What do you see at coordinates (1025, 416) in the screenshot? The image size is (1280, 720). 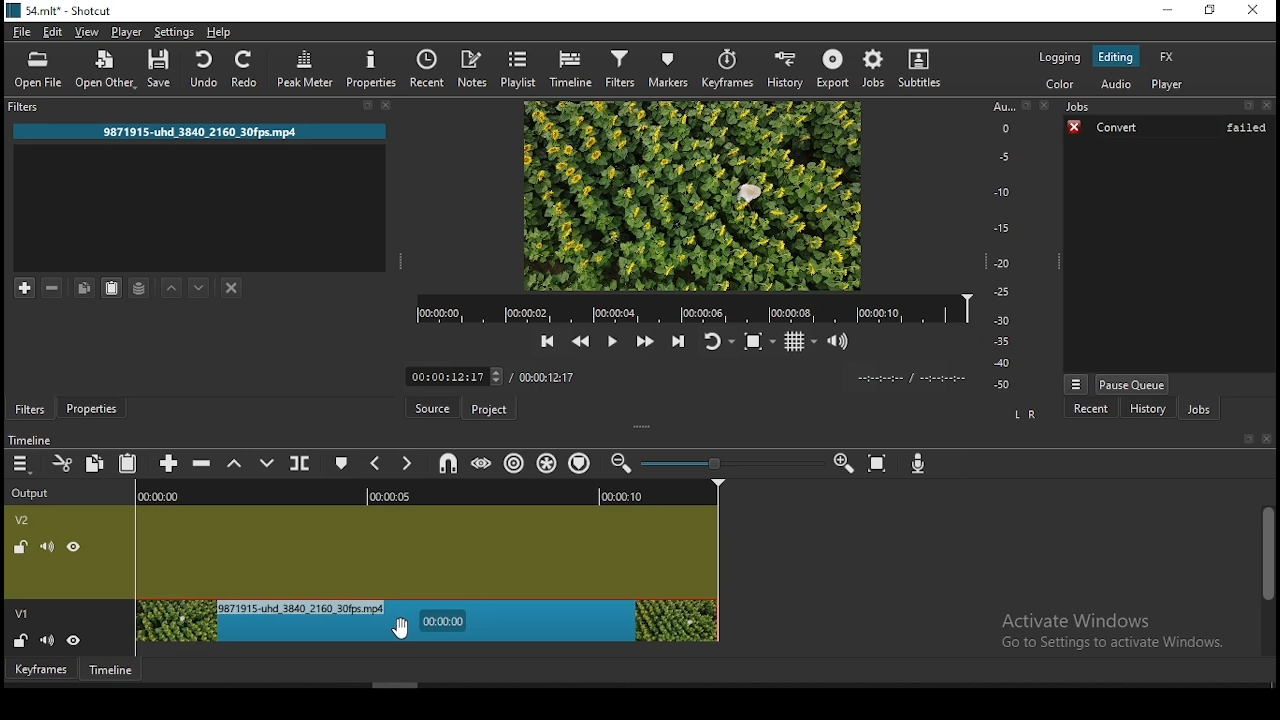 I see `L R` at bounding box center [1025, 416].